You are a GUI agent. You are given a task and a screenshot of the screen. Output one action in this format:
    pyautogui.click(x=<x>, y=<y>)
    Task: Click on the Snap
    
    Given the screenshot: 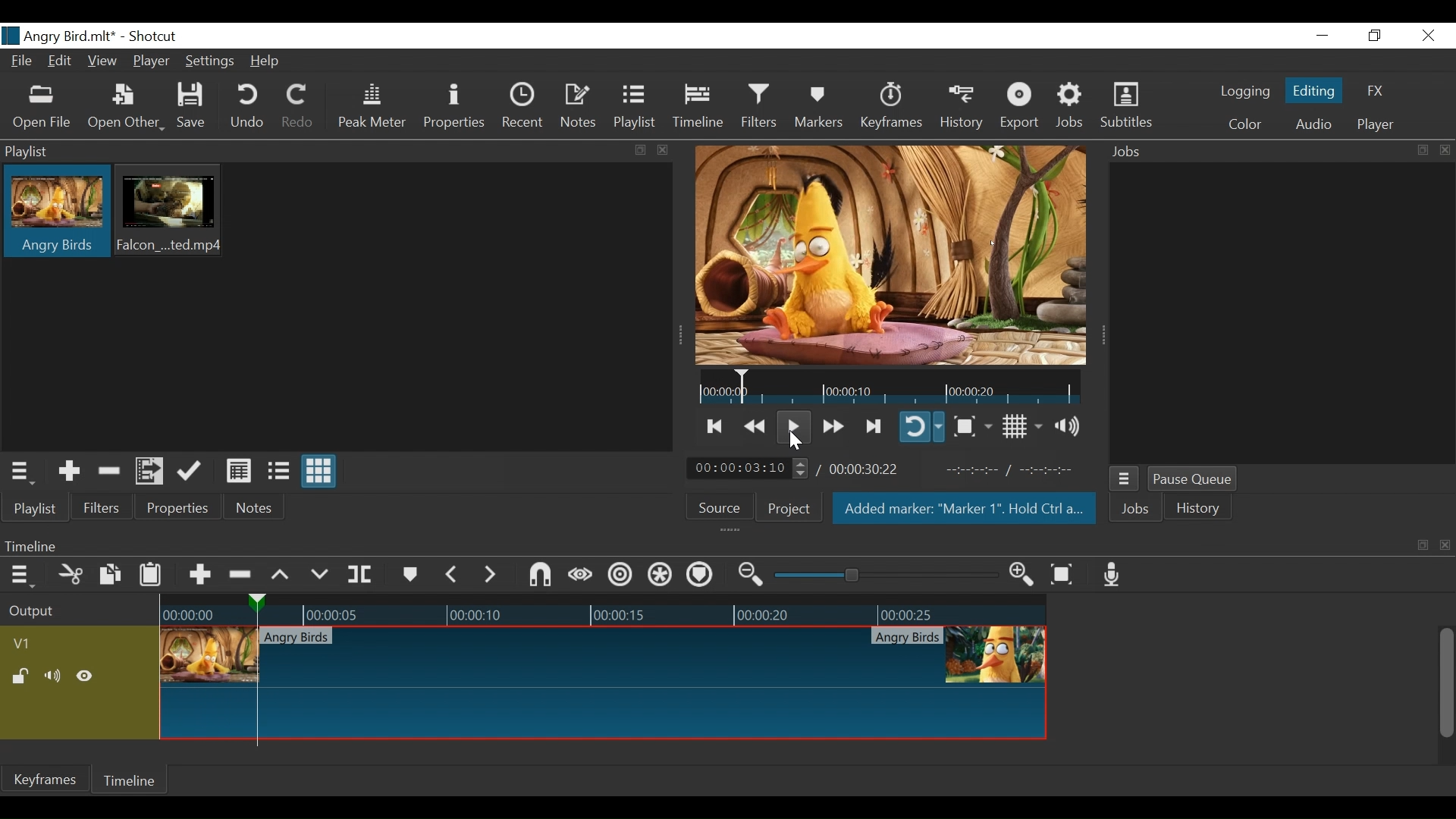 What is the action you would take?
    pyautogui.click(x=538, y=576)
    